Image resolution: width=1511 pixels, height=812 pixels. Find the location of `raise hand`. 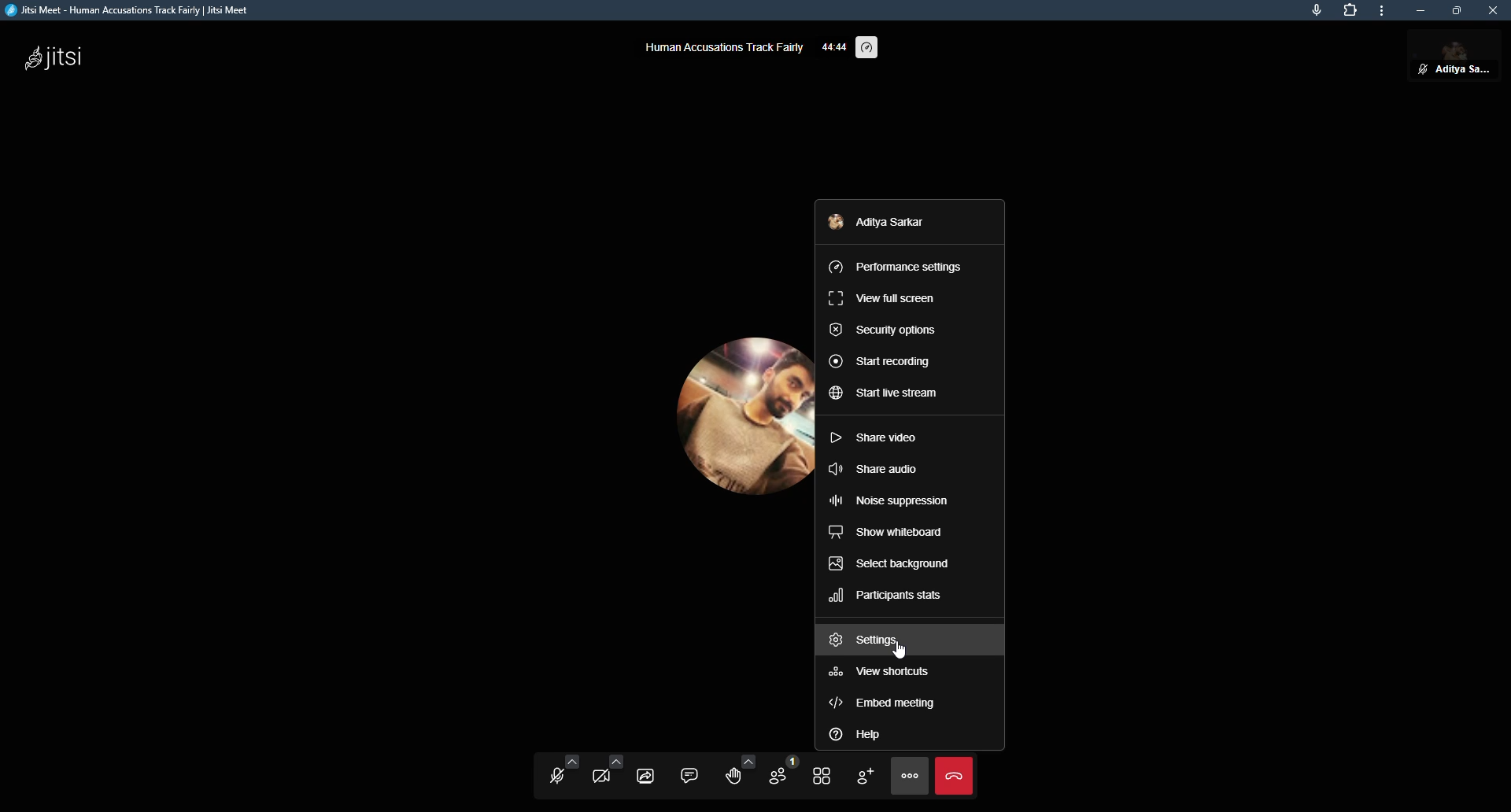

raise hand is located at coordinates (732, 773).